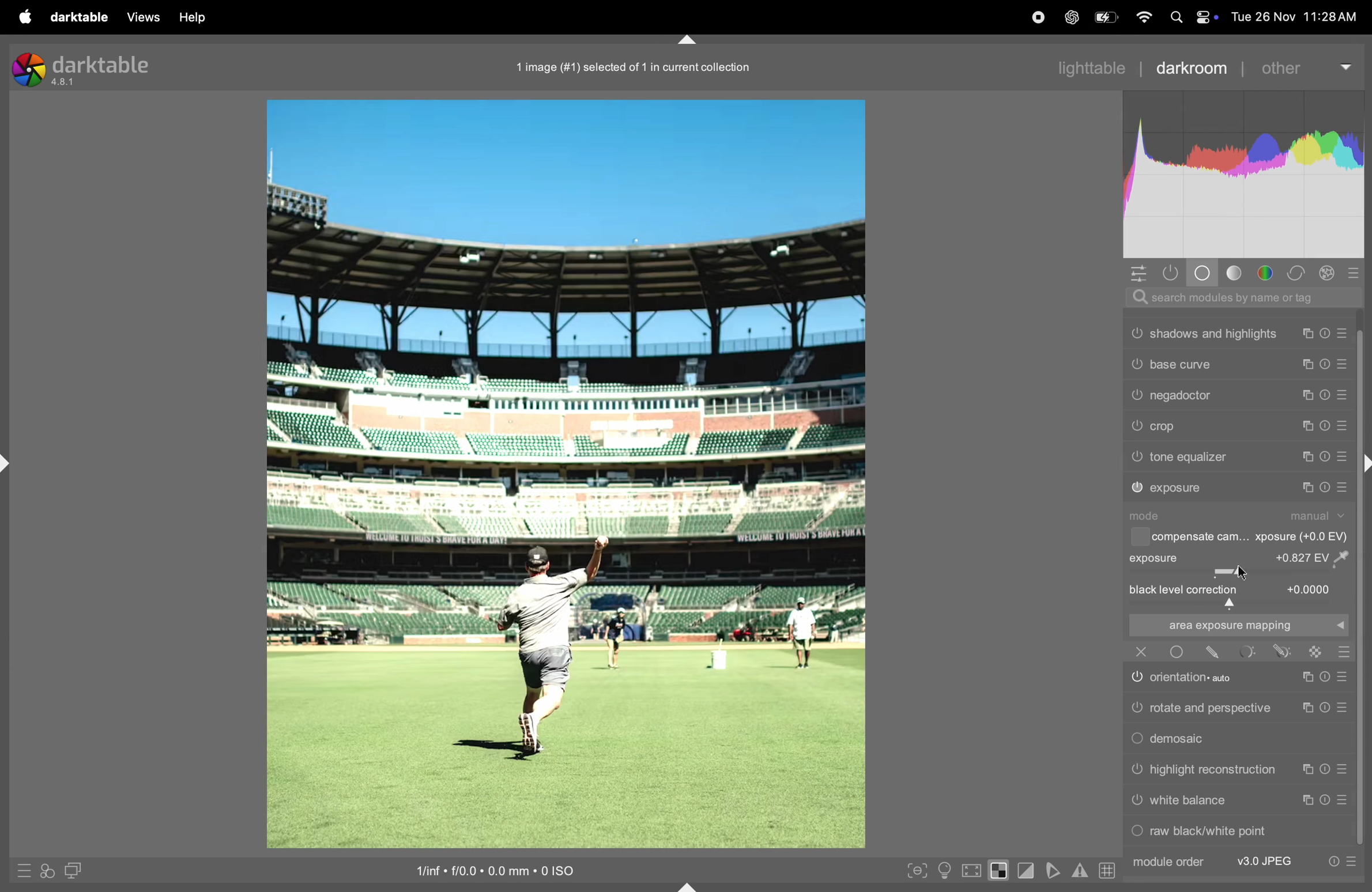 This screenshot has width=1372, height=892. I want to click on copy, so click(1305, 770).